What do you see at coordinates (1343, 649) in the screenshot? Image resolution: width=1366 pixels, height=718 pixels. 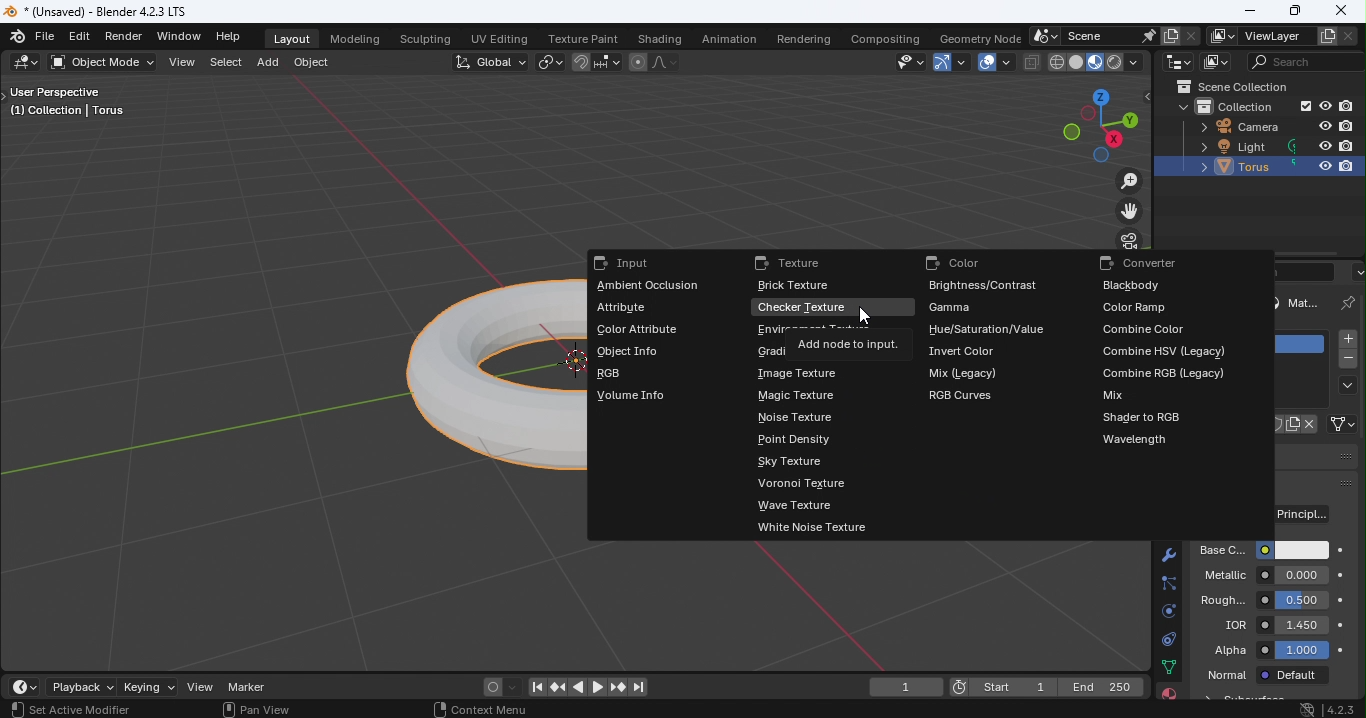 I see `Animate property` at bounding box center [1343, 649].